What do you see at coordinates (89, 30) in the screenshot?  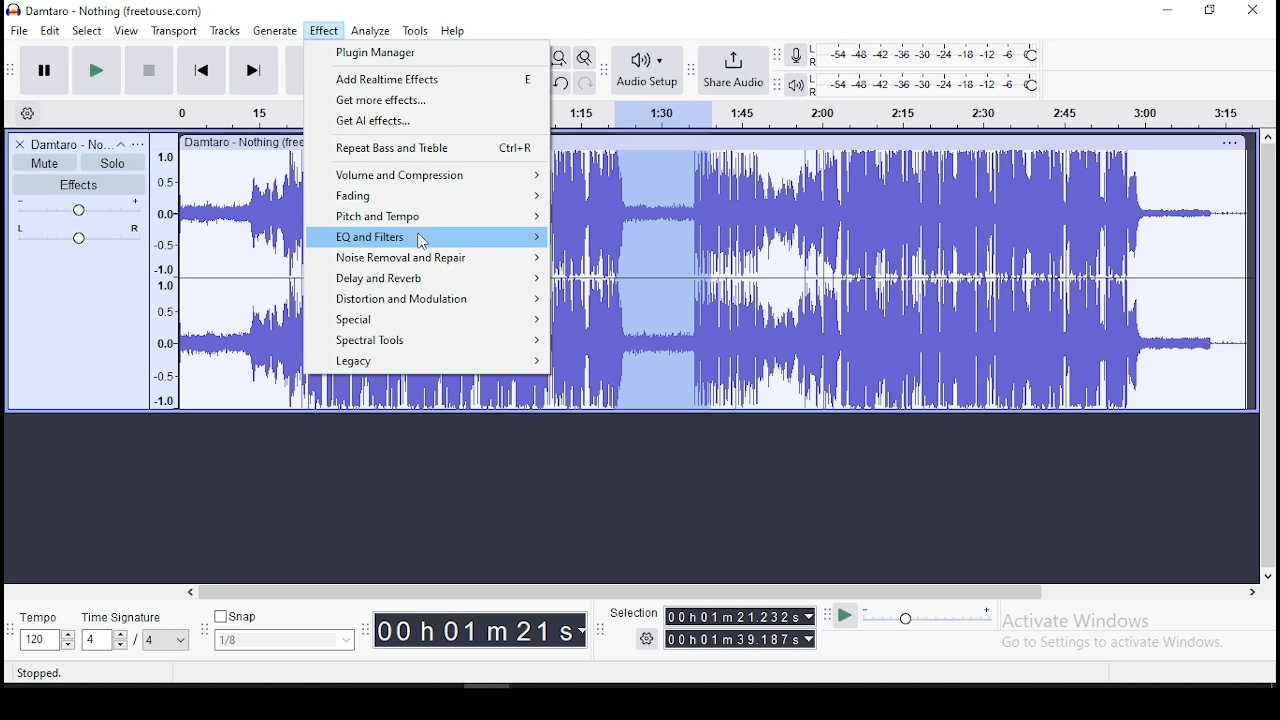 I see `select` at bounding box center [89, 30].